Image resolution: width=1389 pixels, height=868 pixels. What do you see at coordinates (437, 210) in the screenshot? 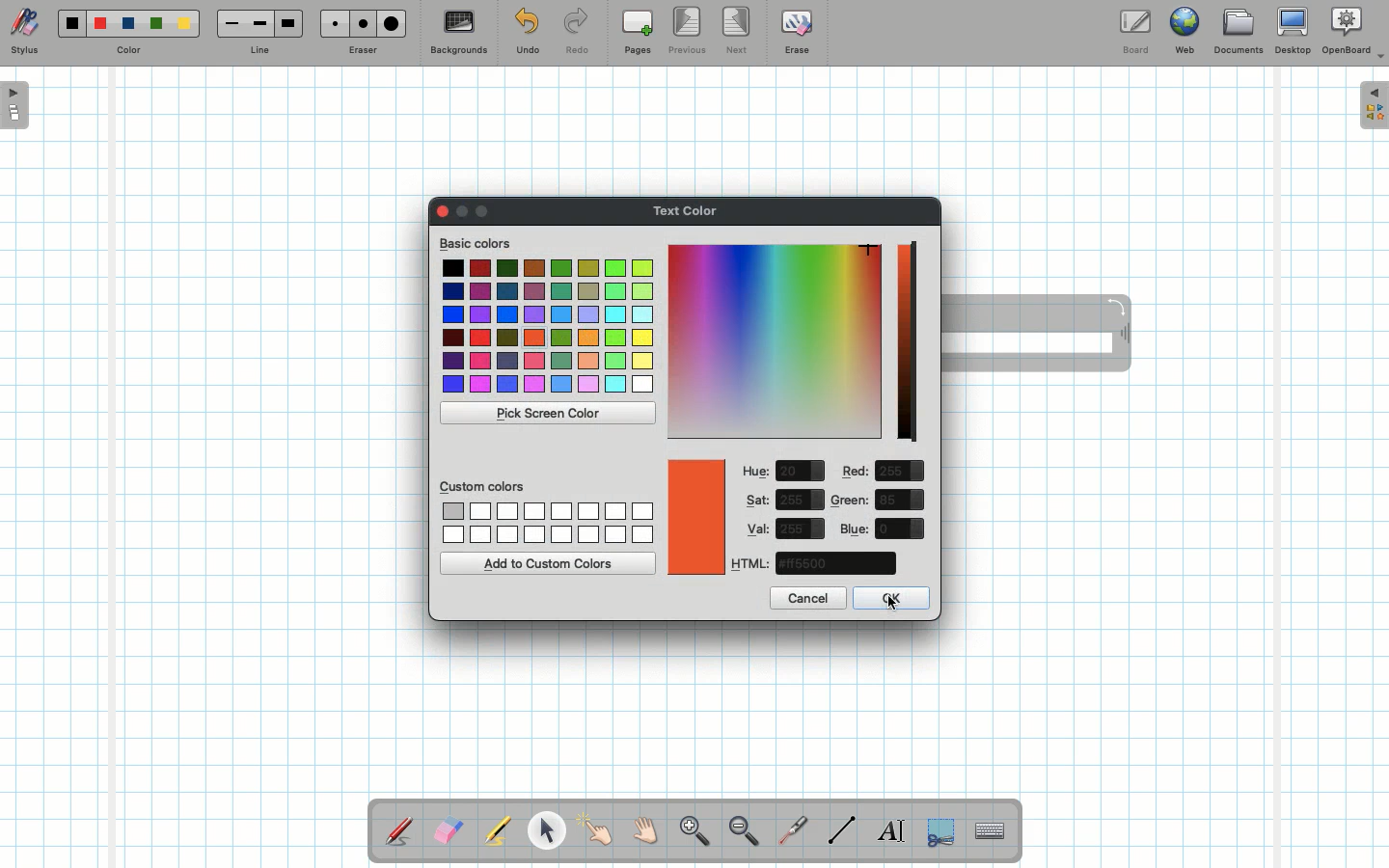
I see `Clor` at bounding box center [437, 210].